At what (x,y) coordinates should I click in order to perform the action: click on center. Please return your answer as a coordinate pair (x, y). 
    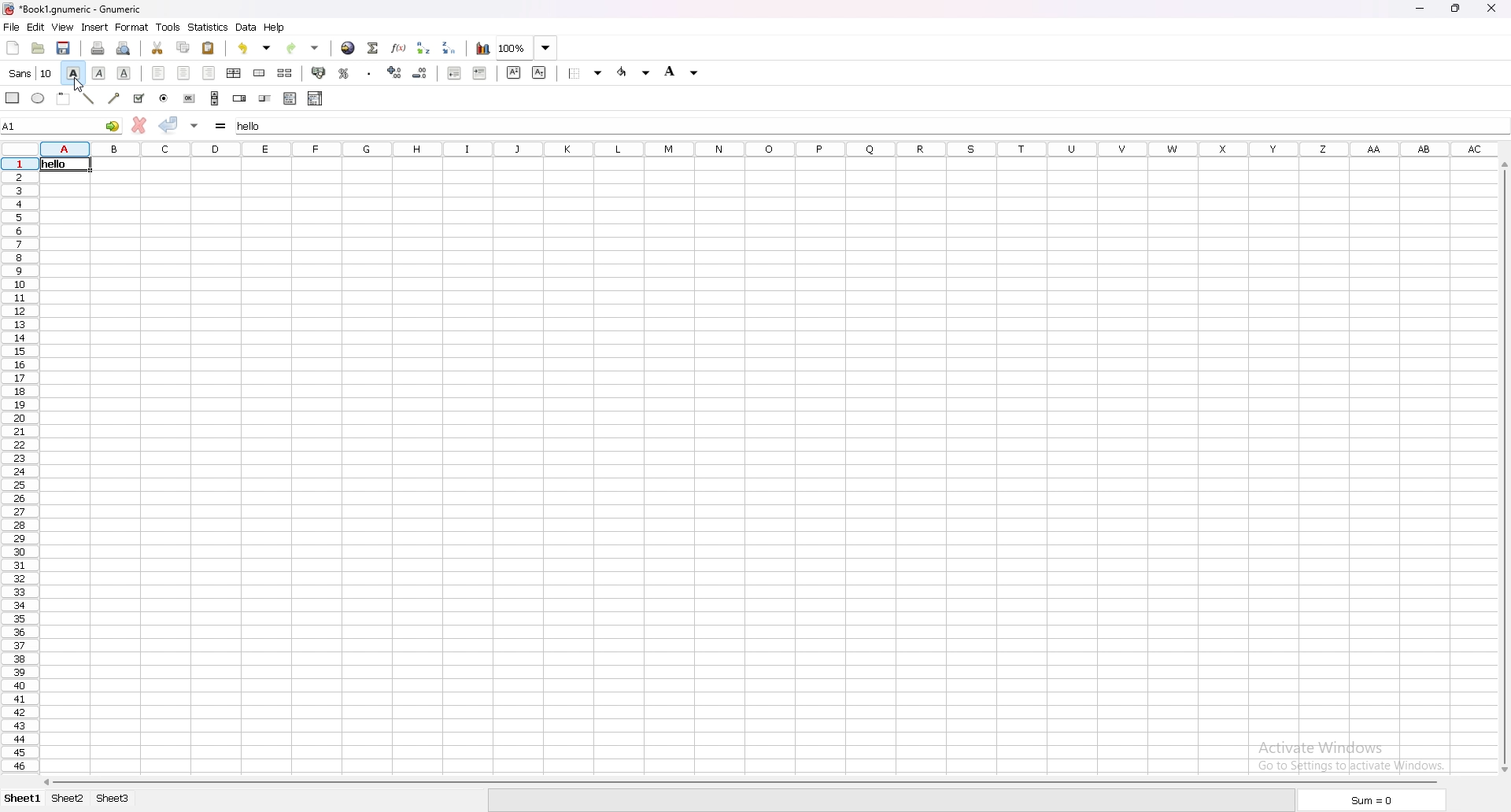
    Looking at the image, I should click on (184, 72).